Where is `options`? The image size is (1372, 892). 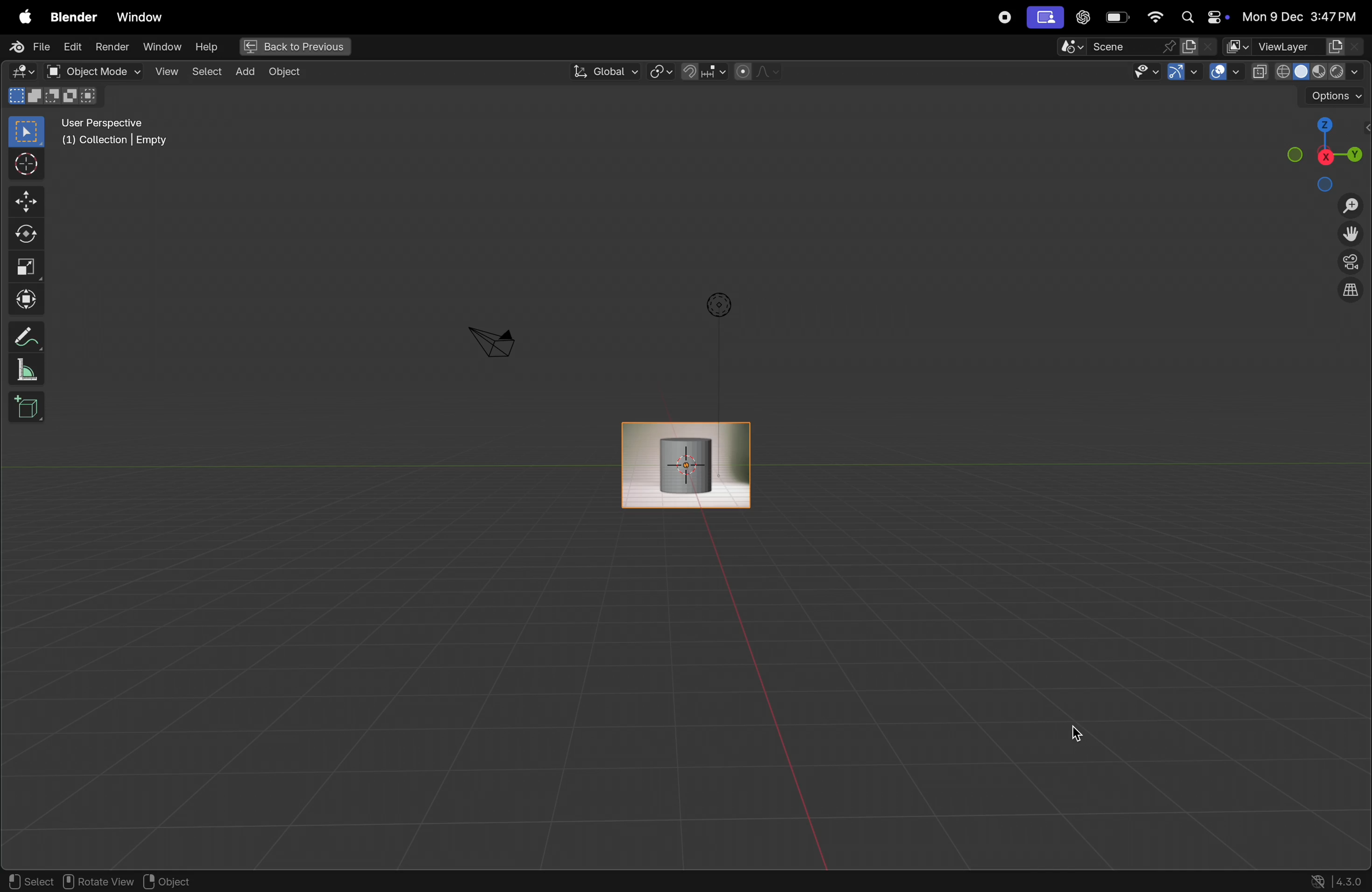
options is located at coordinates (1333, 96).